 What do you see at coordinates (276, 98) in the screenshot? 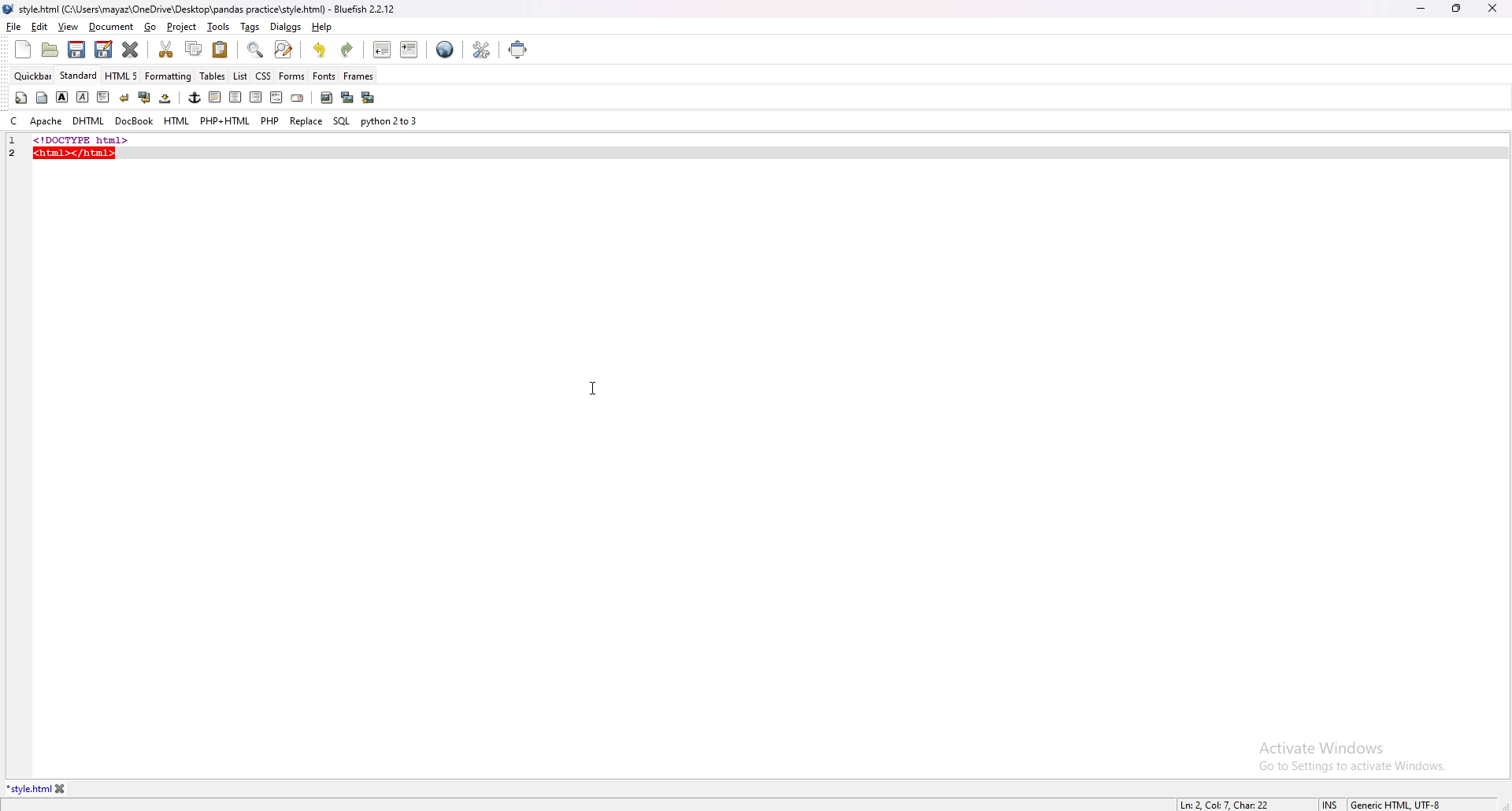
I see `html comment` at bounding box center [276, 98].